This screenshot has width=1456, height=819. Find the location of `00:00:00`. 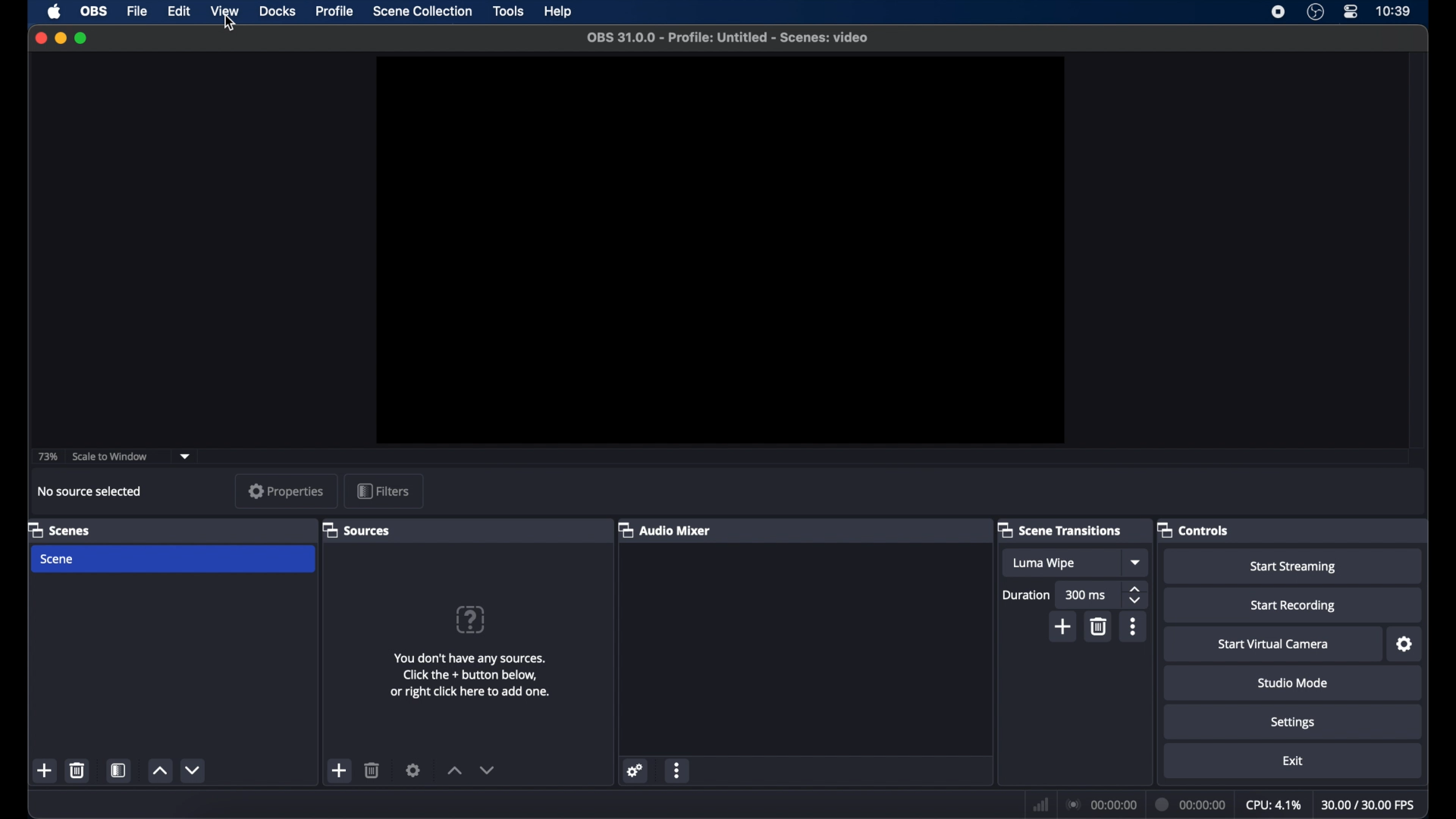

00:00:00 is located at coordinates (1103, 805).